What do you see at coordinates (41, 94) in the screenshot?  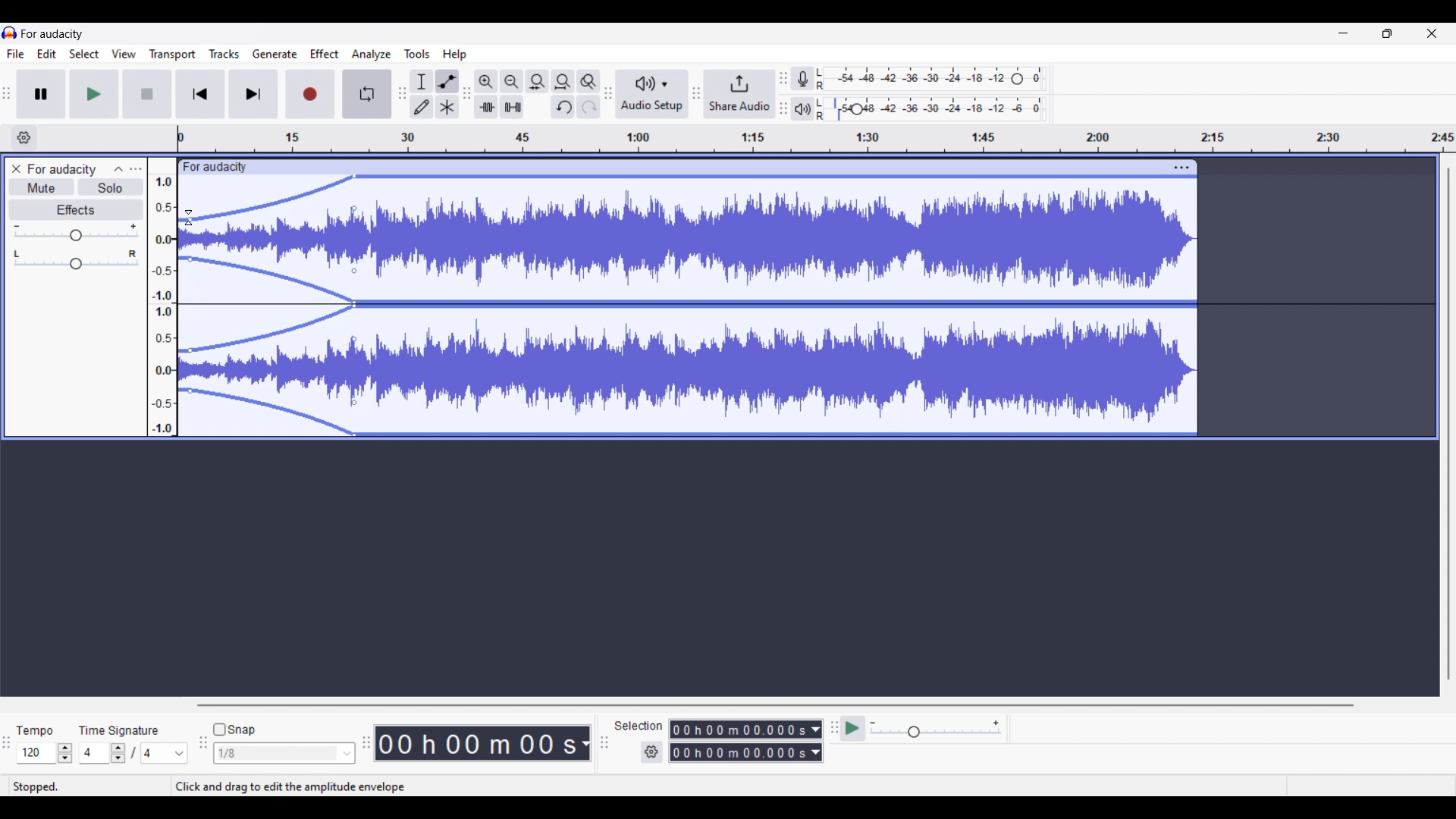 I see `Pause` at bounding box center [41, 94].